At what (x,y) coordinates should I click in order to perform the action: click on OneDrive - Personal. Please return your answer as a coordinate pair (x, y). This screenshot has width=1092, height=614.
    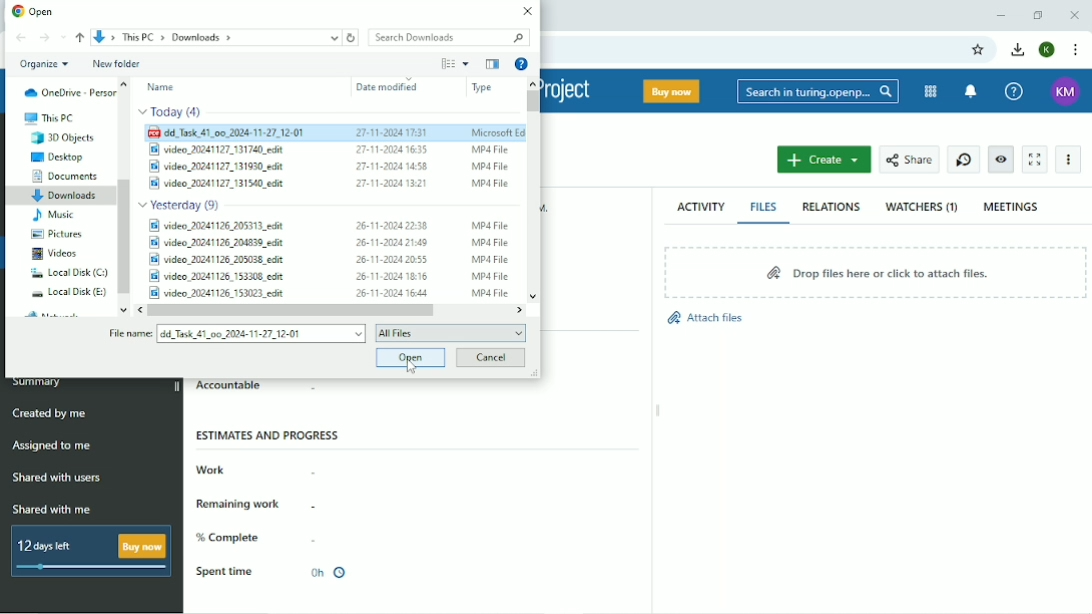
    Looking at the image, I should click on (69, 92).